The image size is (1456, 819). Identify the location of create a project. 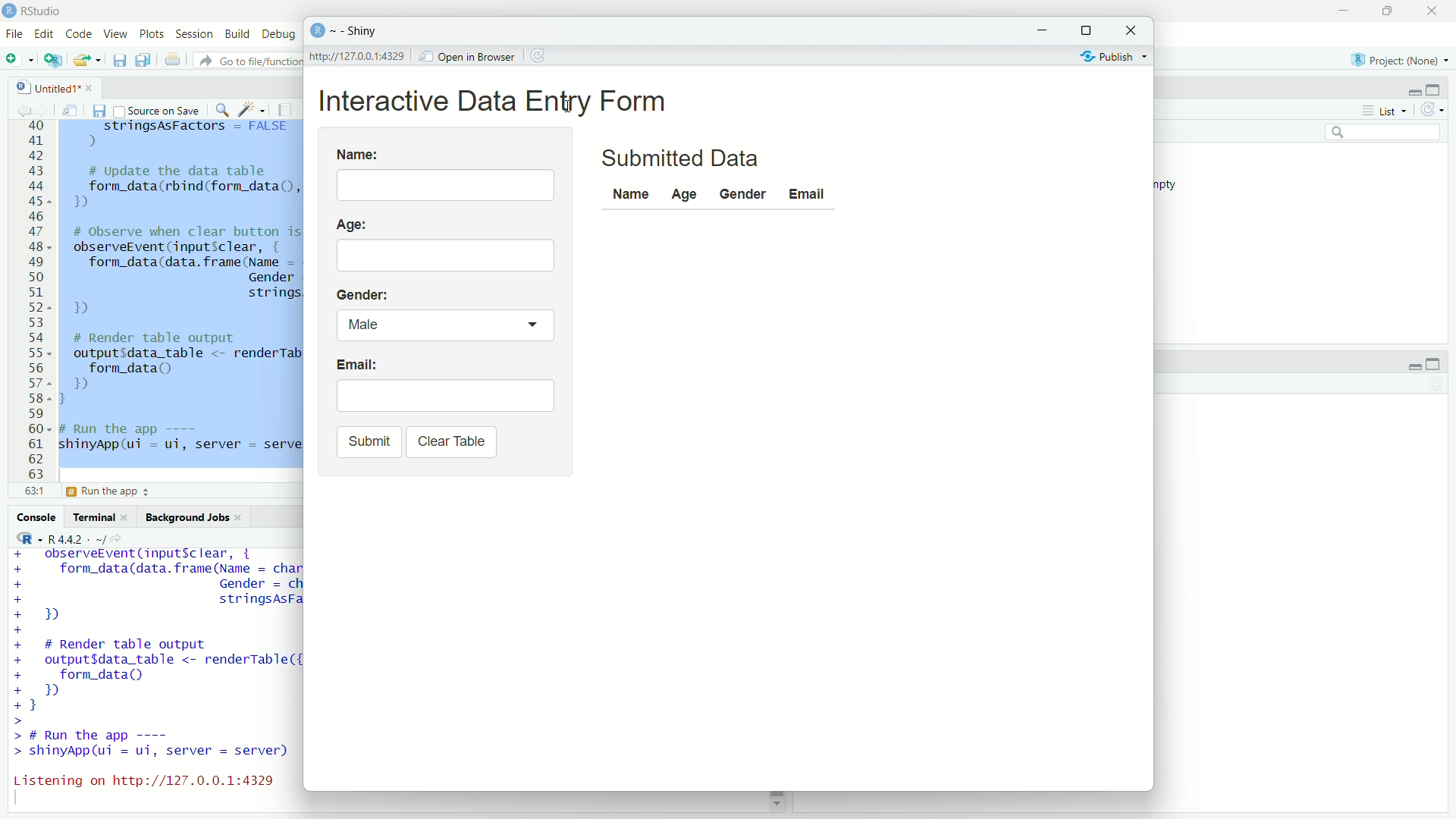
(53, 60).